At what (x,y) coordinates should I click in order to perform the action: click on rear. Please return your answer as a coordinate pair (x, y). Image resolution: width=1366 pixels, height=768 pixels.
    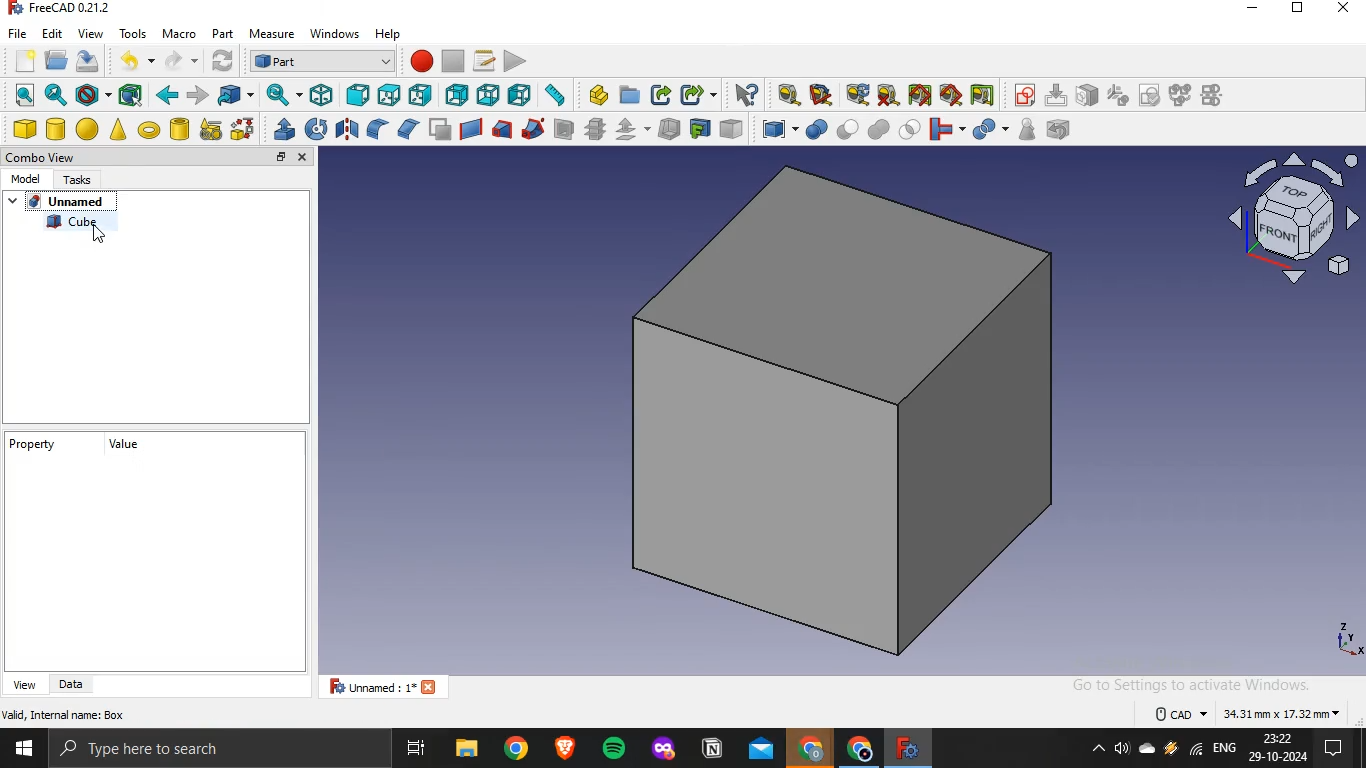
    Looking at the image, I should click on (458, 93).